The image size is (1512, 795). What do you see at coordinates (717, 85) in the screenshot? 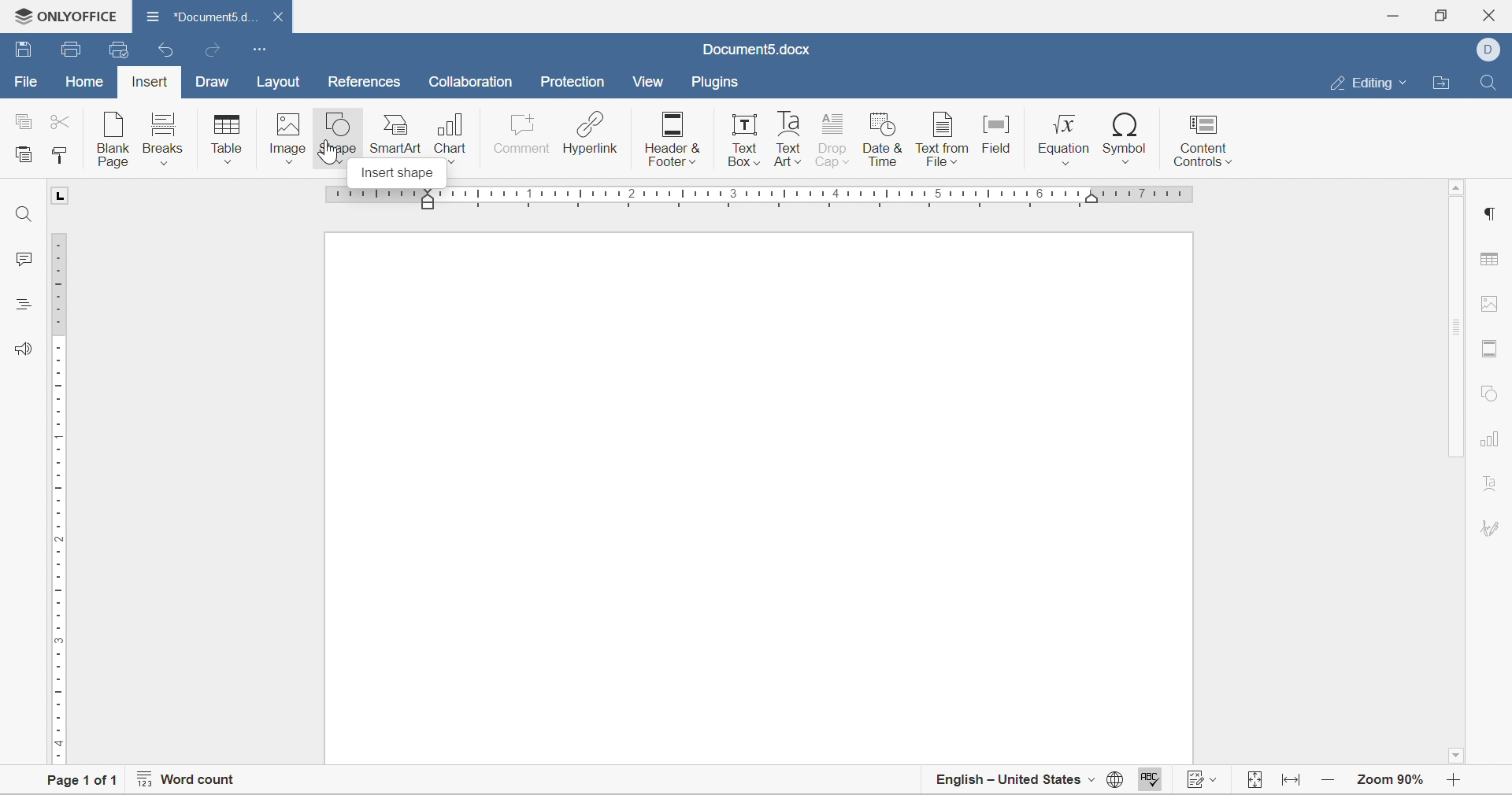
I see `plugins` at bounding box center [717, 85].